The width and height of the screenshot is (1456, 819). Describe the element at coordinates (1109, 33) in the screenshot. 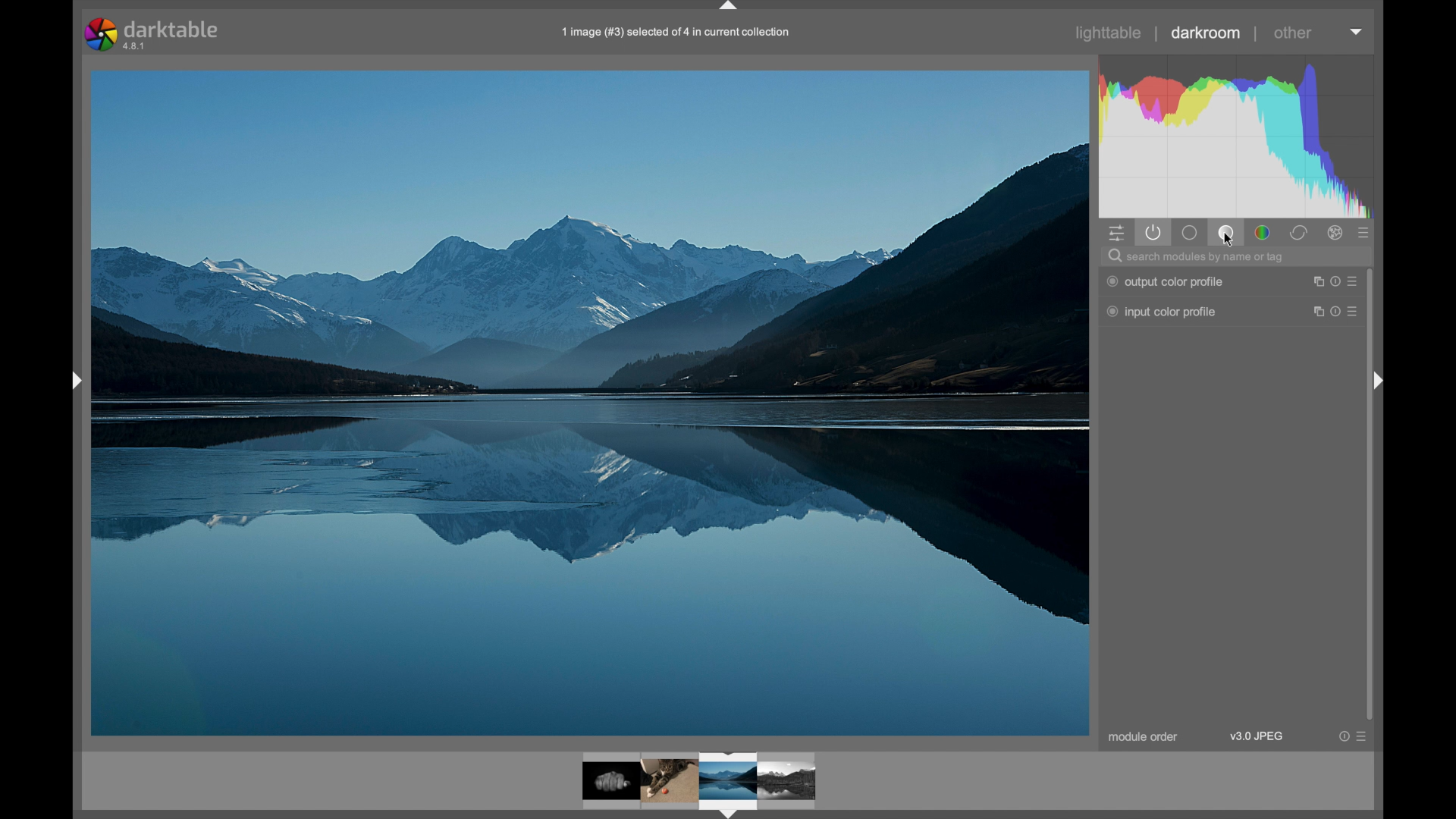

I see `lighttable` at that location.